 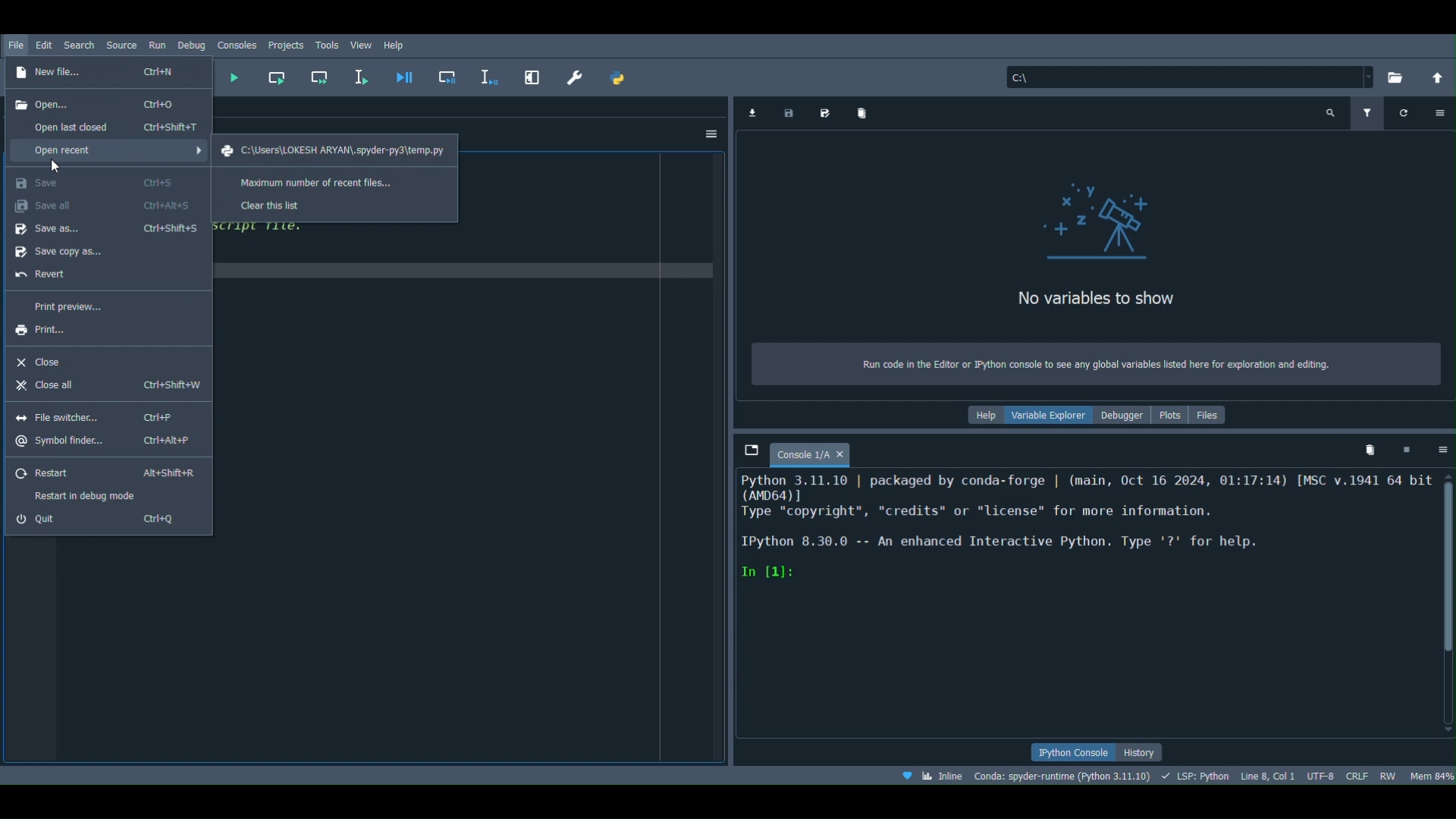 What do you see at coordinates (90, 333) in the screenshot?
I see `Print` at bounding box center [90, 333].